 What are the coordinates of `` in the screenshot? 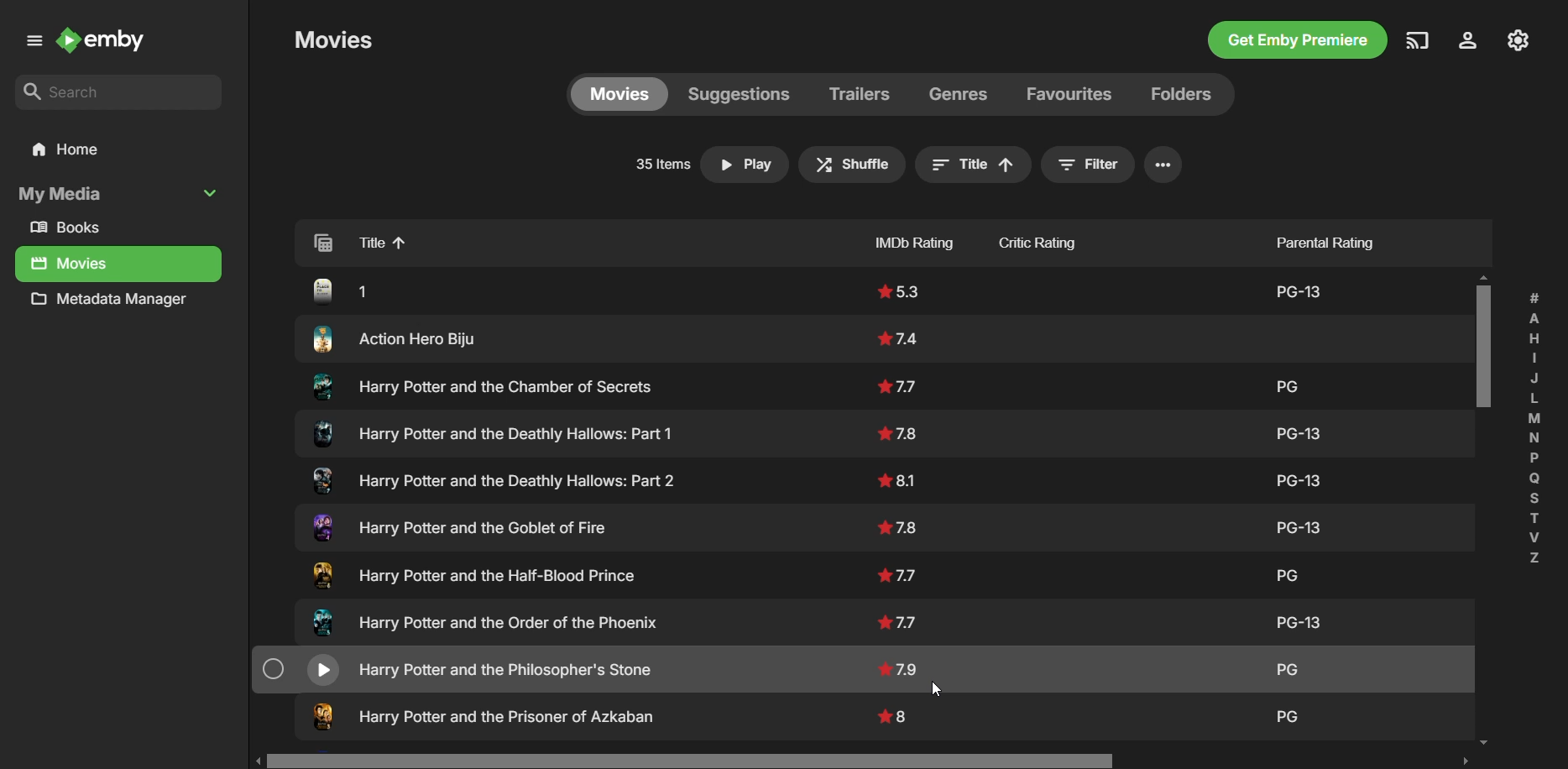 It's located at (467, 385).